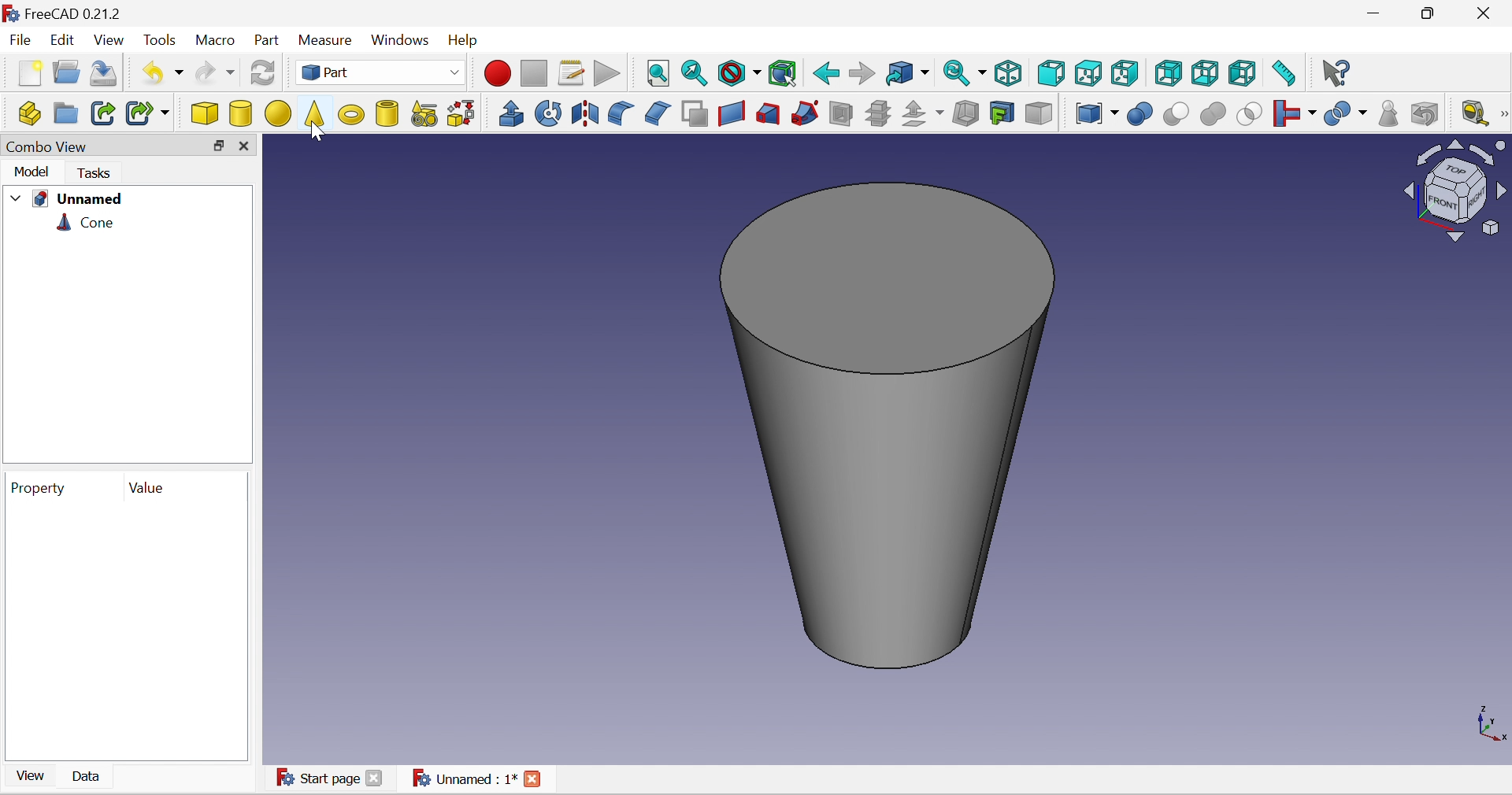 The image size is (1512, 795). What do you see at coordinates (1469, 113) in the screenshot?
I see `Measure liner` at bounding box center [1469, 113].